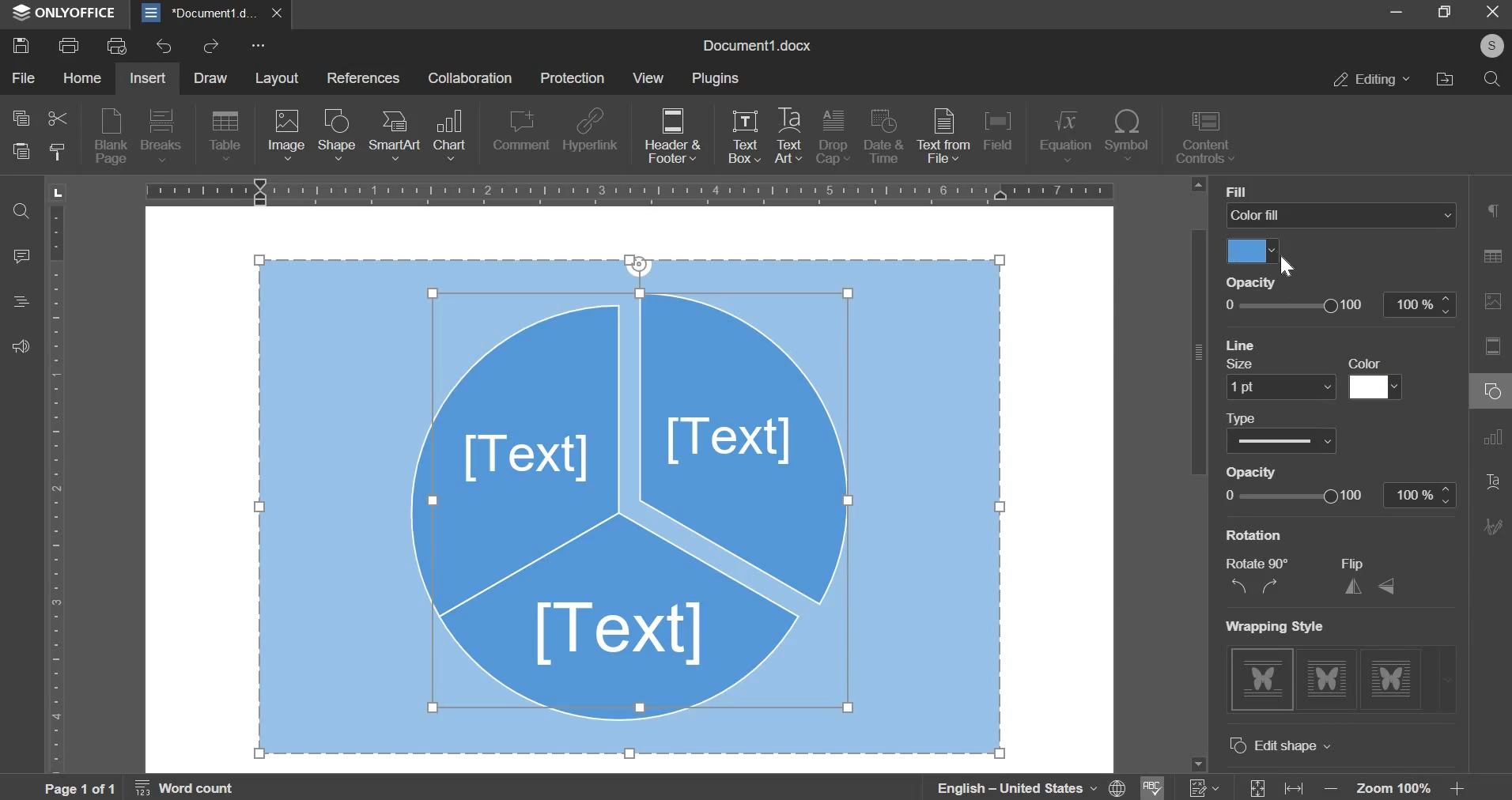  What do you see at coordinates (23, 258) in the screenshot?
I see `comment panel` at bounding box center [23, 258].